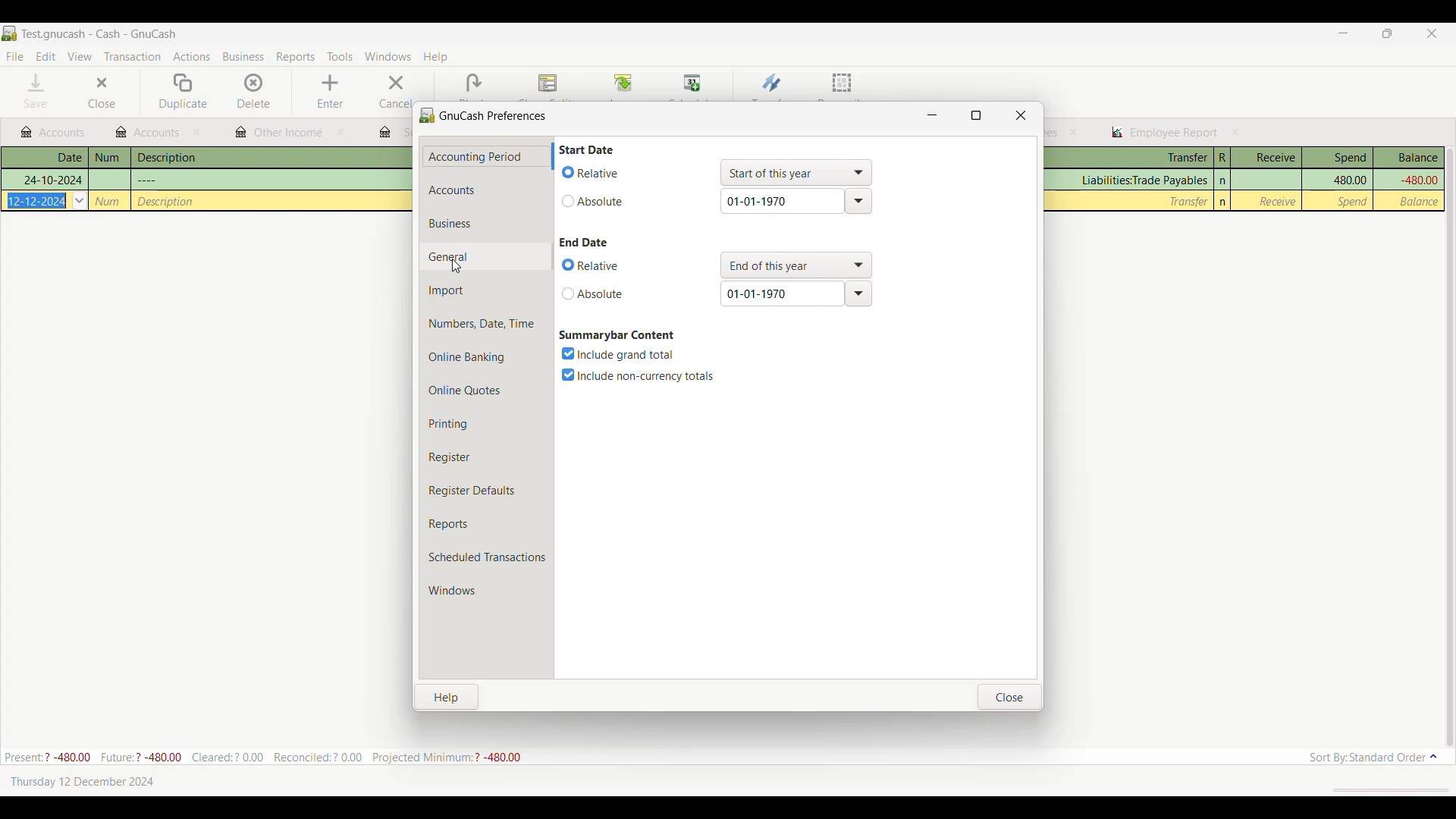 This screenshot has width=1456, height=819. I want to click on Maximize, so click(976, 115).